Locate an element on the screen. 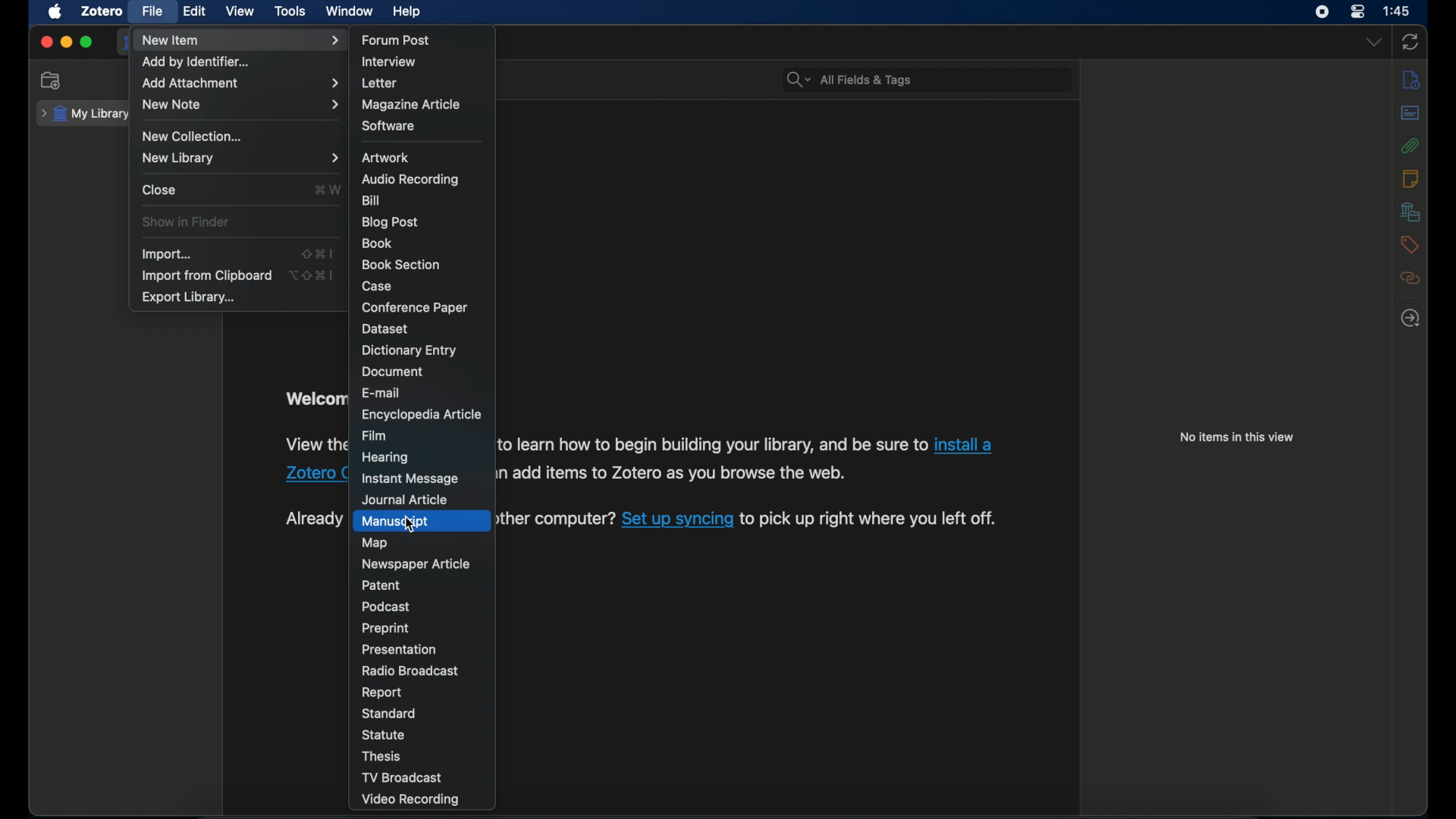  dropdown is located at coordinates (1374, 43).